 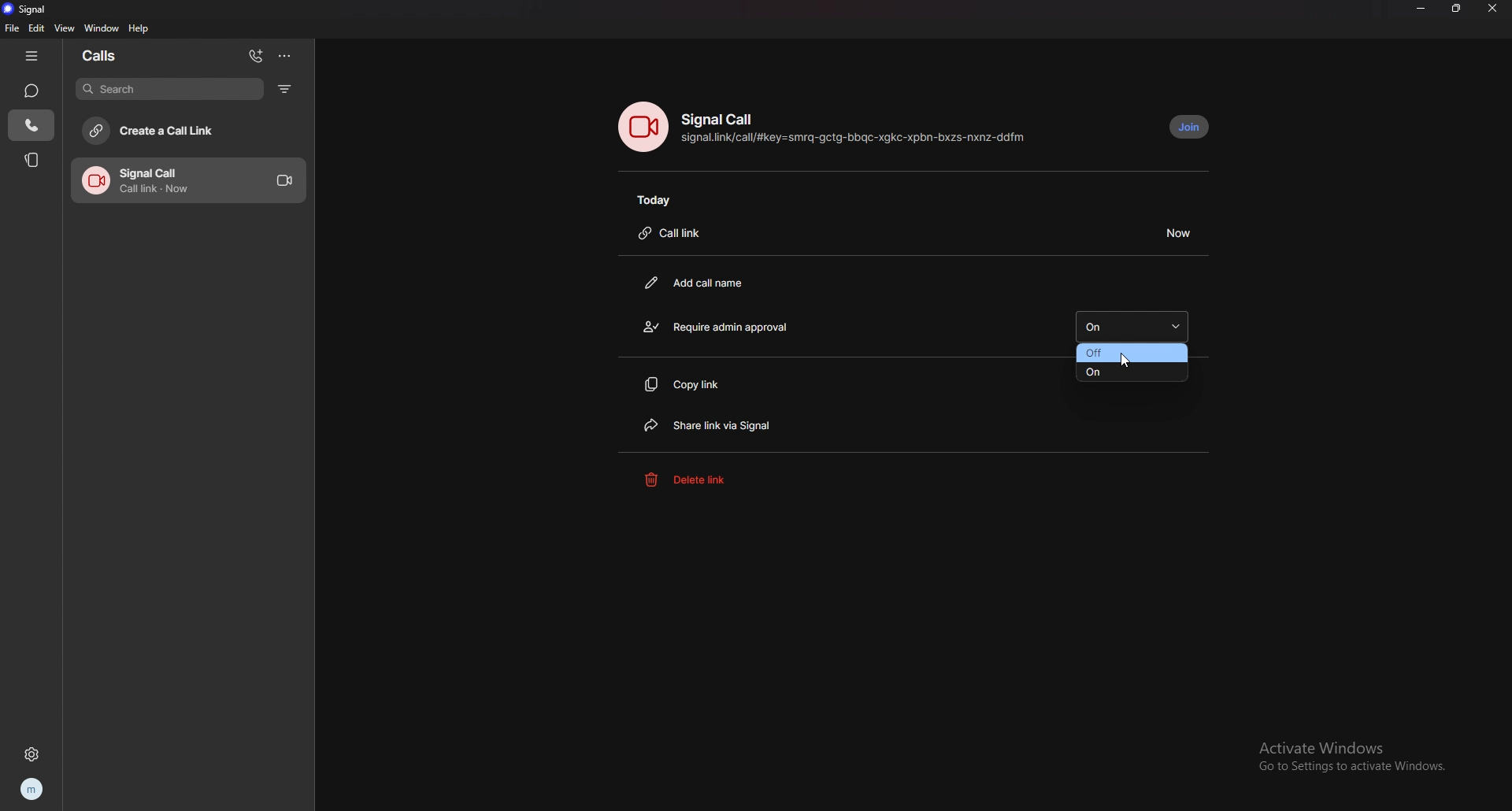 I want to click on off, so click(x=1132, y=353).